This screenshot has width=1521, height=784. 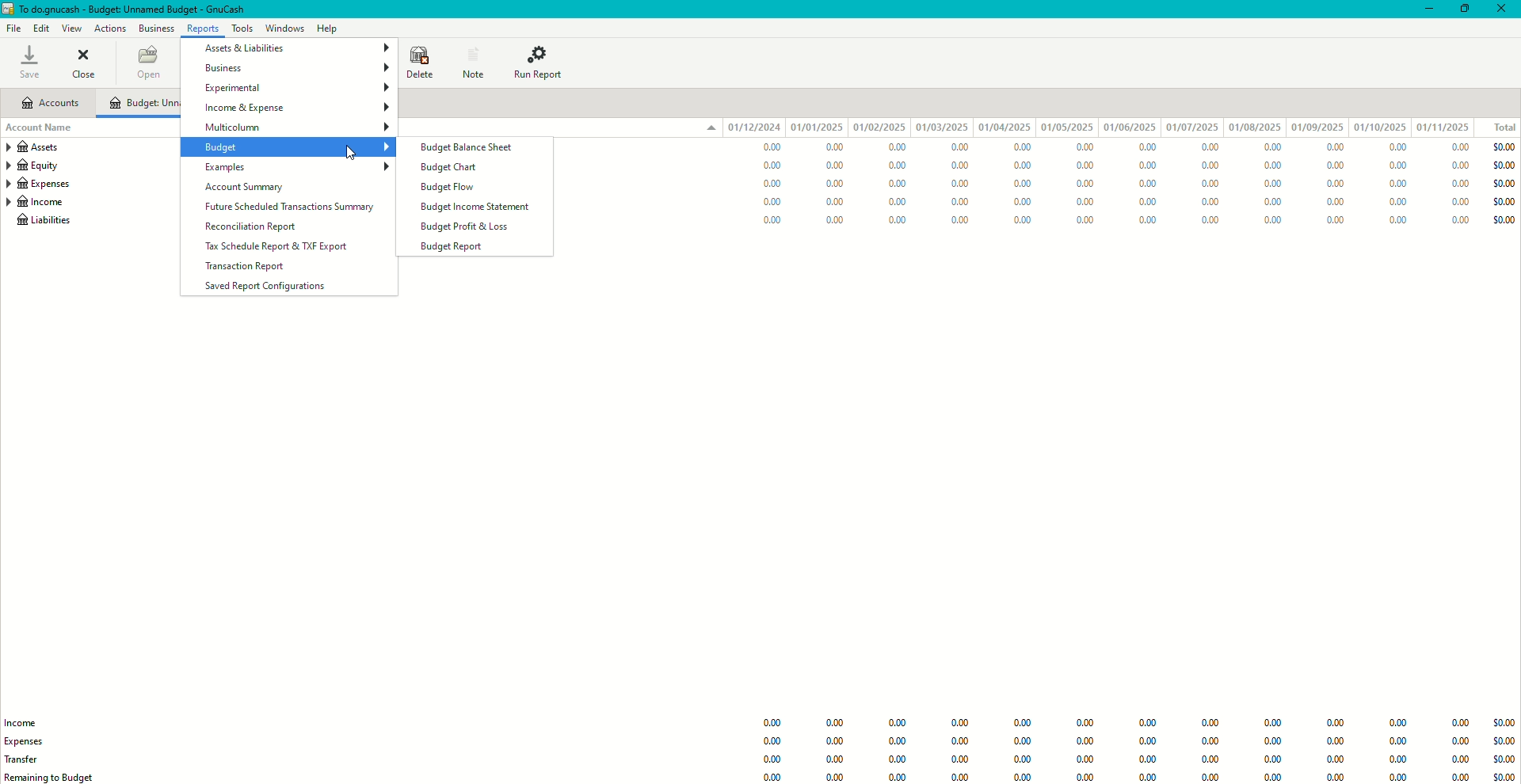 What do you see at coordinates (1500, 760) in the screenshot?
I see `$0.00` at bounding box center [1500, 760].